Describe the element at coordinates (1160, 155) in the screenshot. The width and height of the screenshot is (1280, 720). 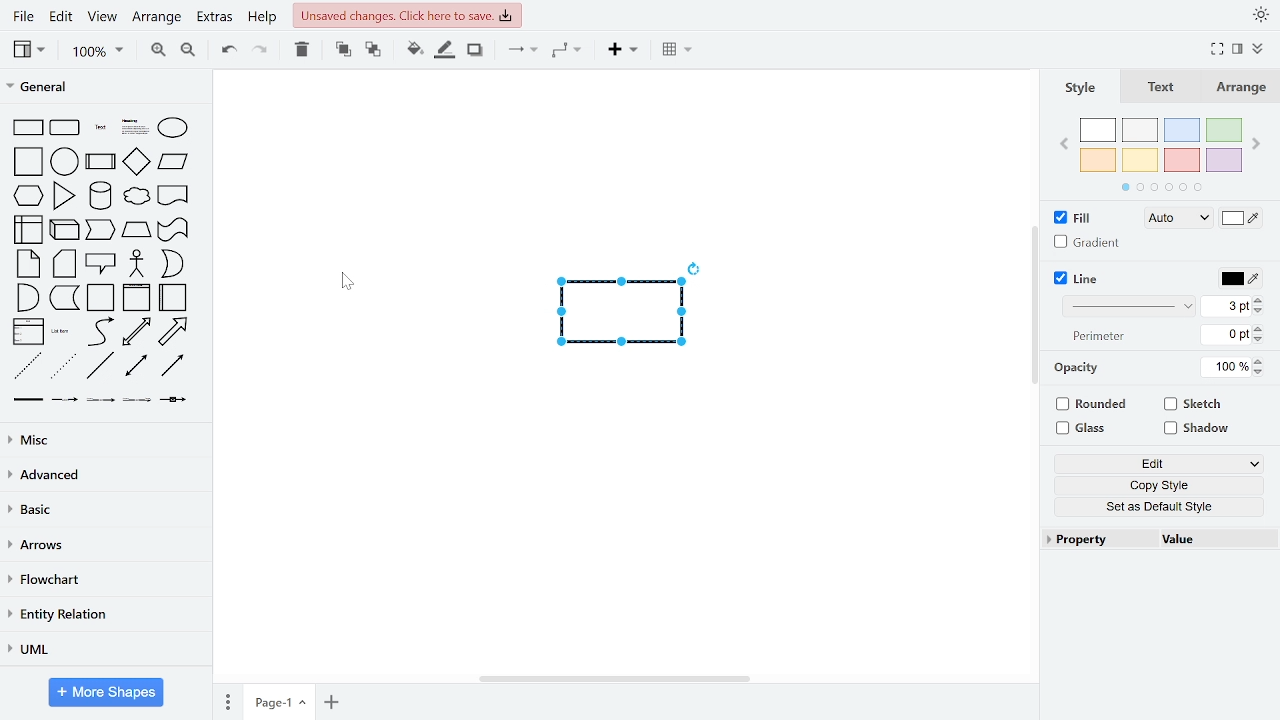
I see `colors` at that location.